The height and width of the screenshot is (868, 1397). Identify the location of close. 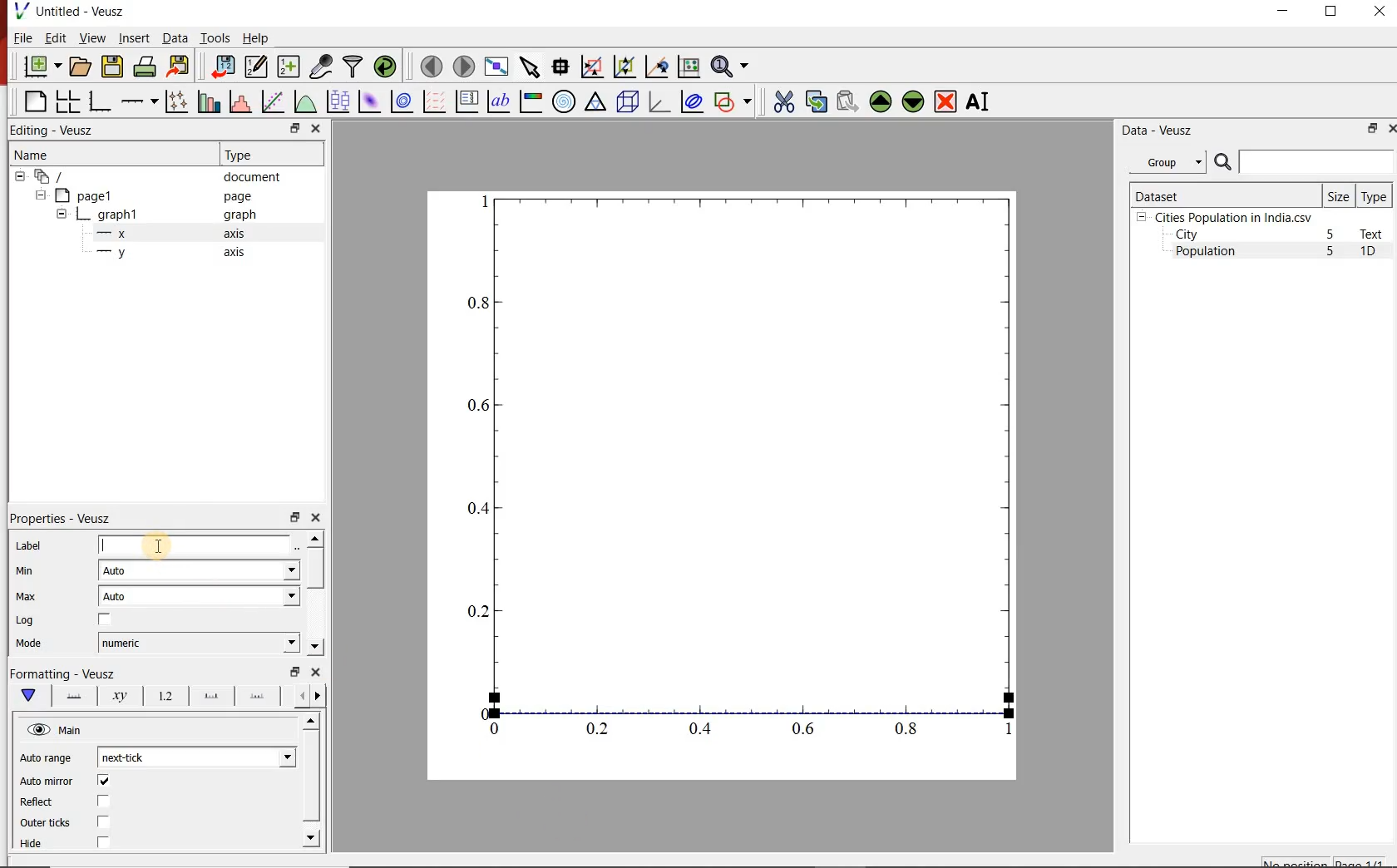
(315, 518).